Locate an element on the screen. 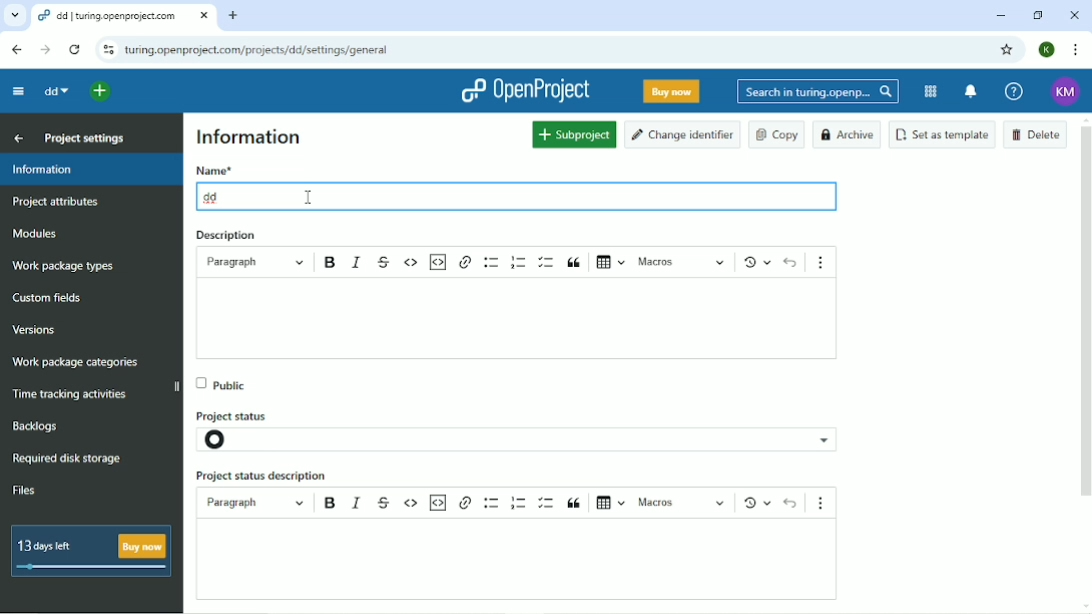  Macros is located at coordinates (680, 262).